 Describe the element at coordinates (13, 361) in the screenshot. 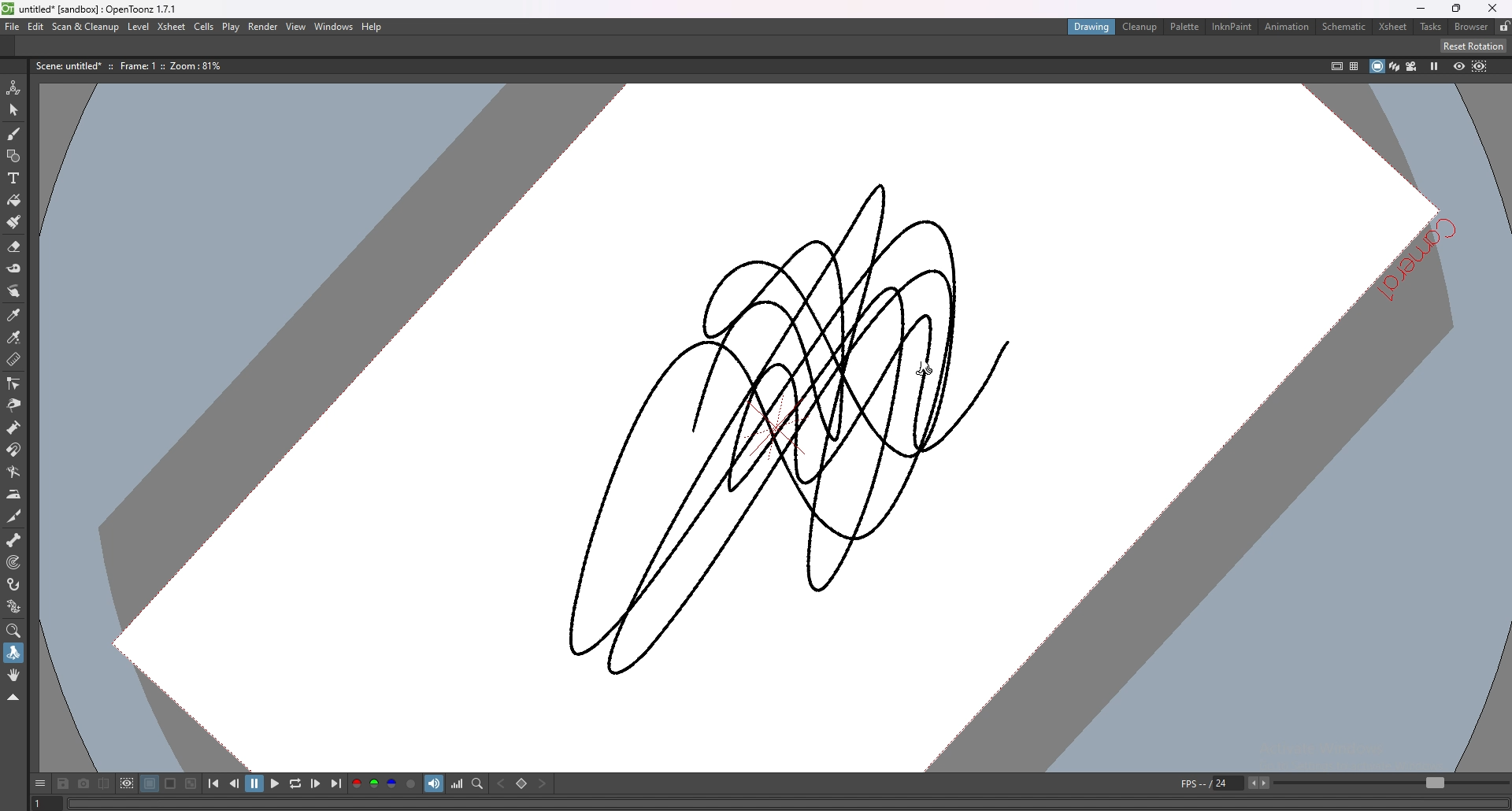

I see `ruler` at that location.